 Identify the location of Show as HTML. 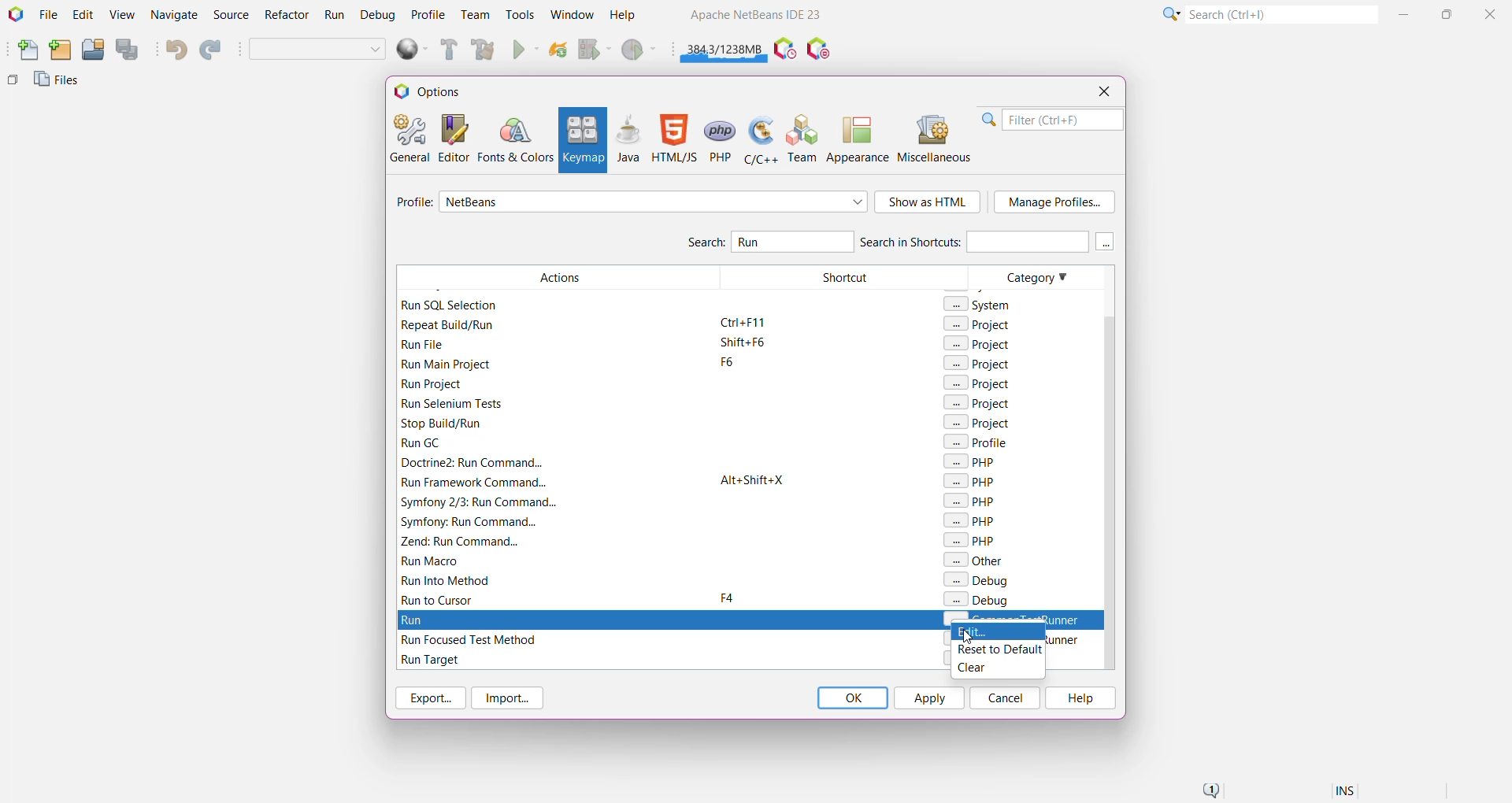
(928, 203).